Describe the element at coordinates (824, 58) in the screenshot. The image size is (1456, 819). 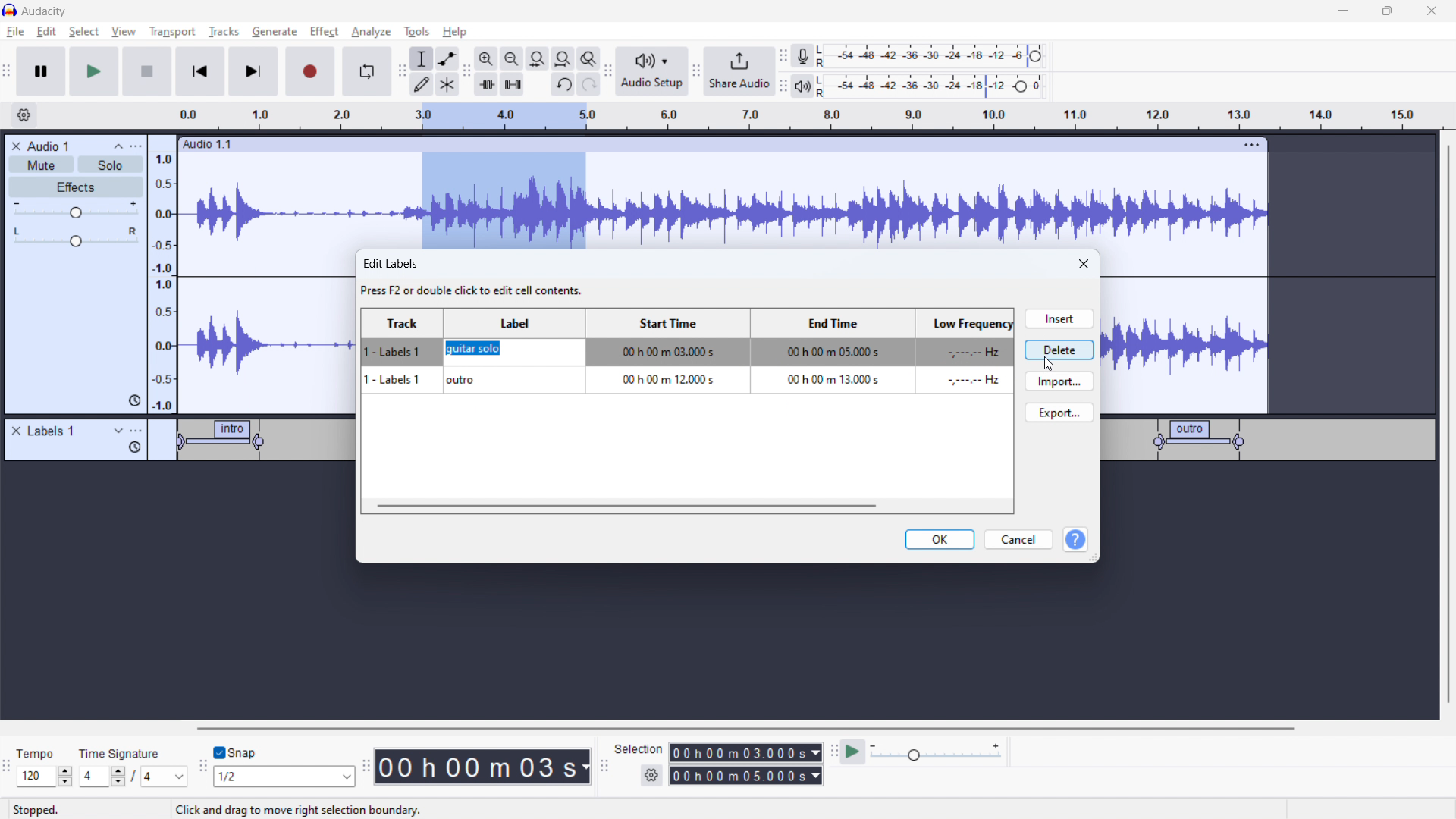
I see `left and right channels` at that location.